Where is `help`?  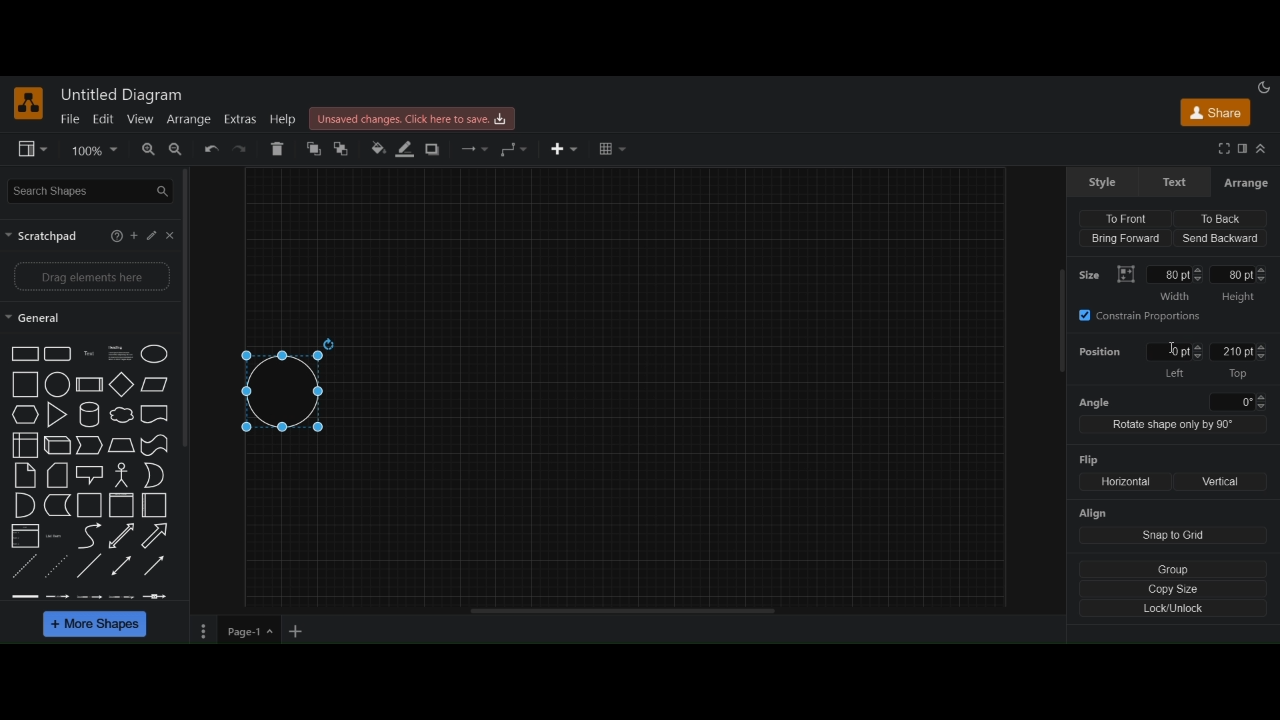
help is located at coordinates (154, 235).